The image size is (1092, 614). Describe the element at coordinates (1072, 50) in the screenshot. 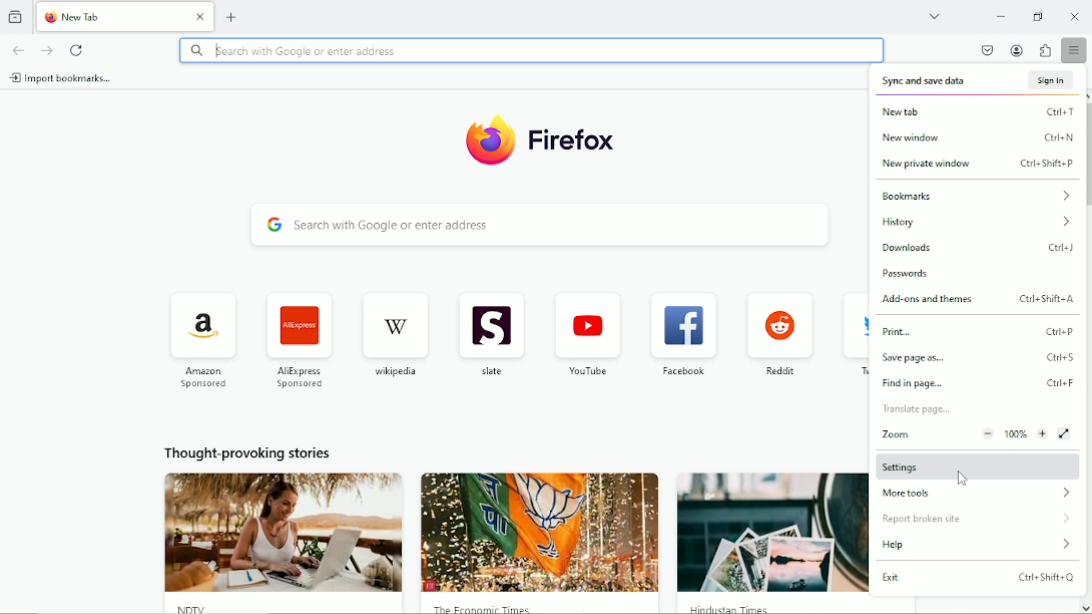

I see `open application menu` at that location.